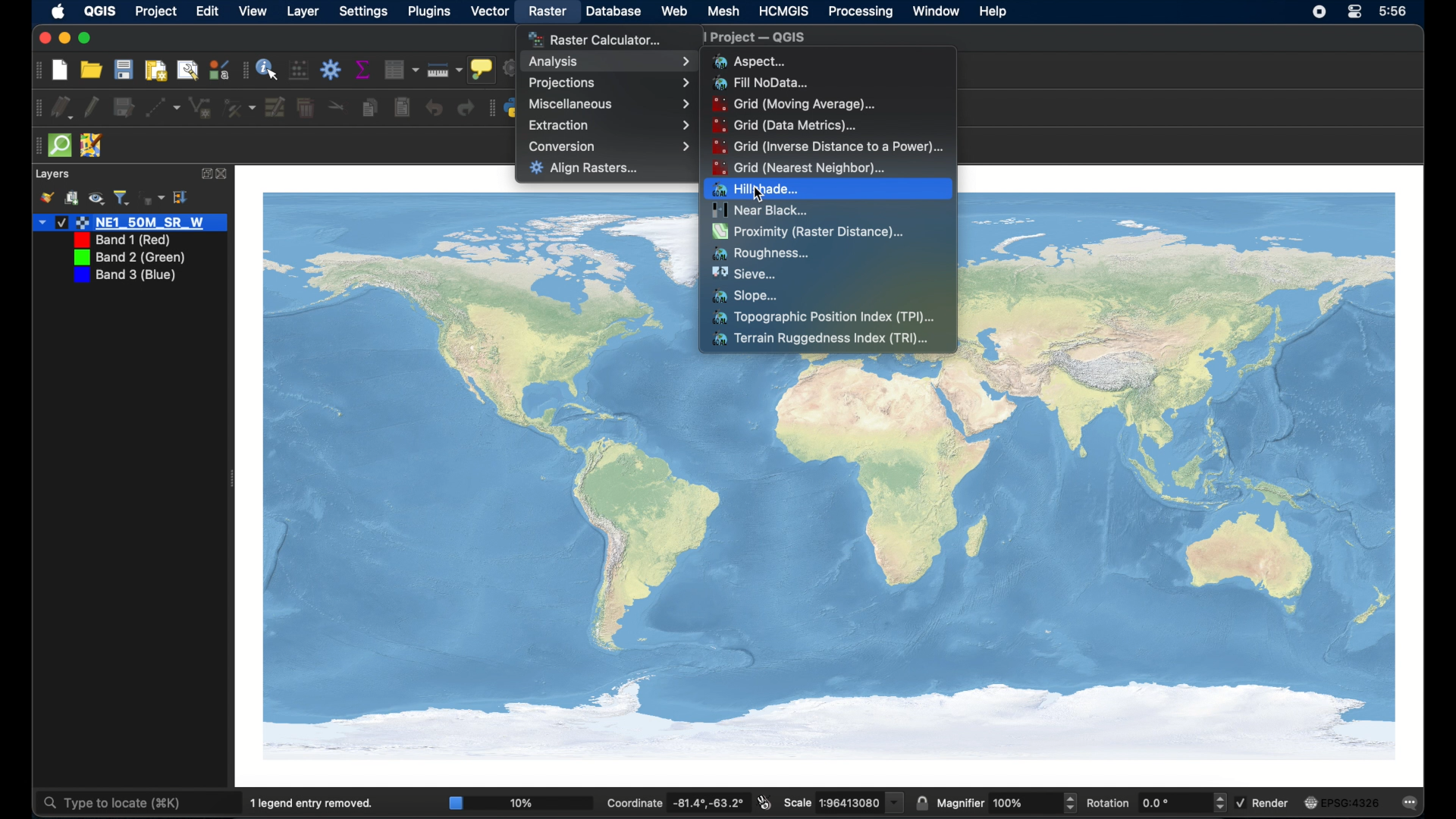 The width and height of the screenshot is (1456, 819). What do you see at coordinates (188, 69) in the screenshot?
I see `open layout manager` at bounding box center [188, 69].